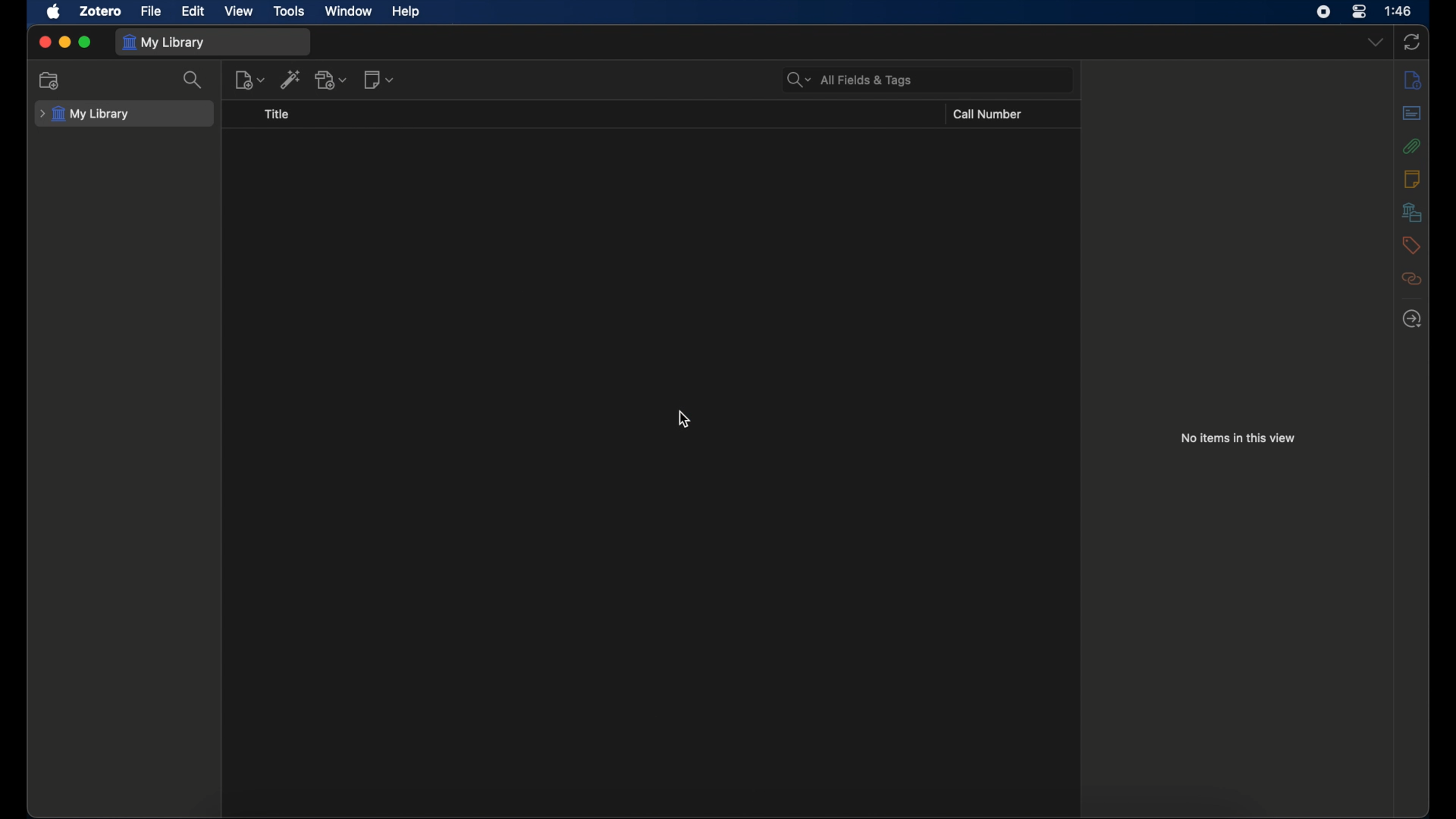 The height and width of the screenshot is (819, 1456). What do you see at coordinates (194, 11) in the screenshot?
I see `edit` at bounding box center [194, 11].